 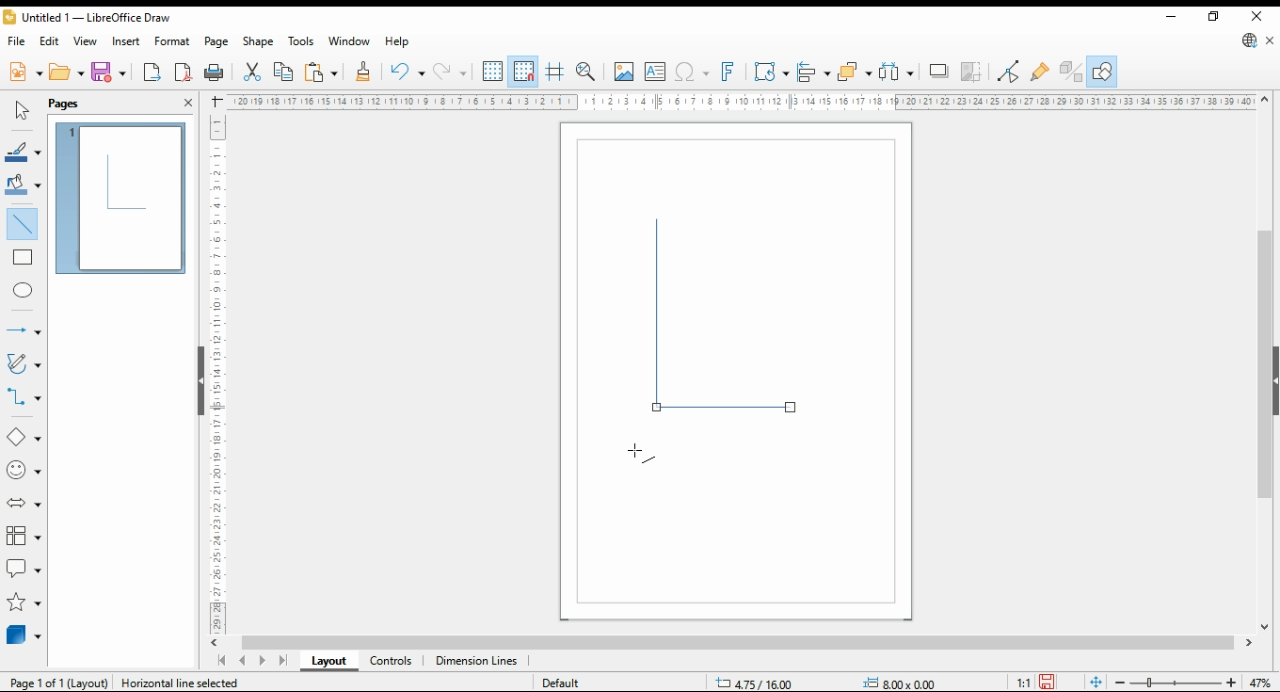 What do you see at coordinates (1262, 683) in the screenshot?
I see `zoom factor` at bounding box center [1262, 683].